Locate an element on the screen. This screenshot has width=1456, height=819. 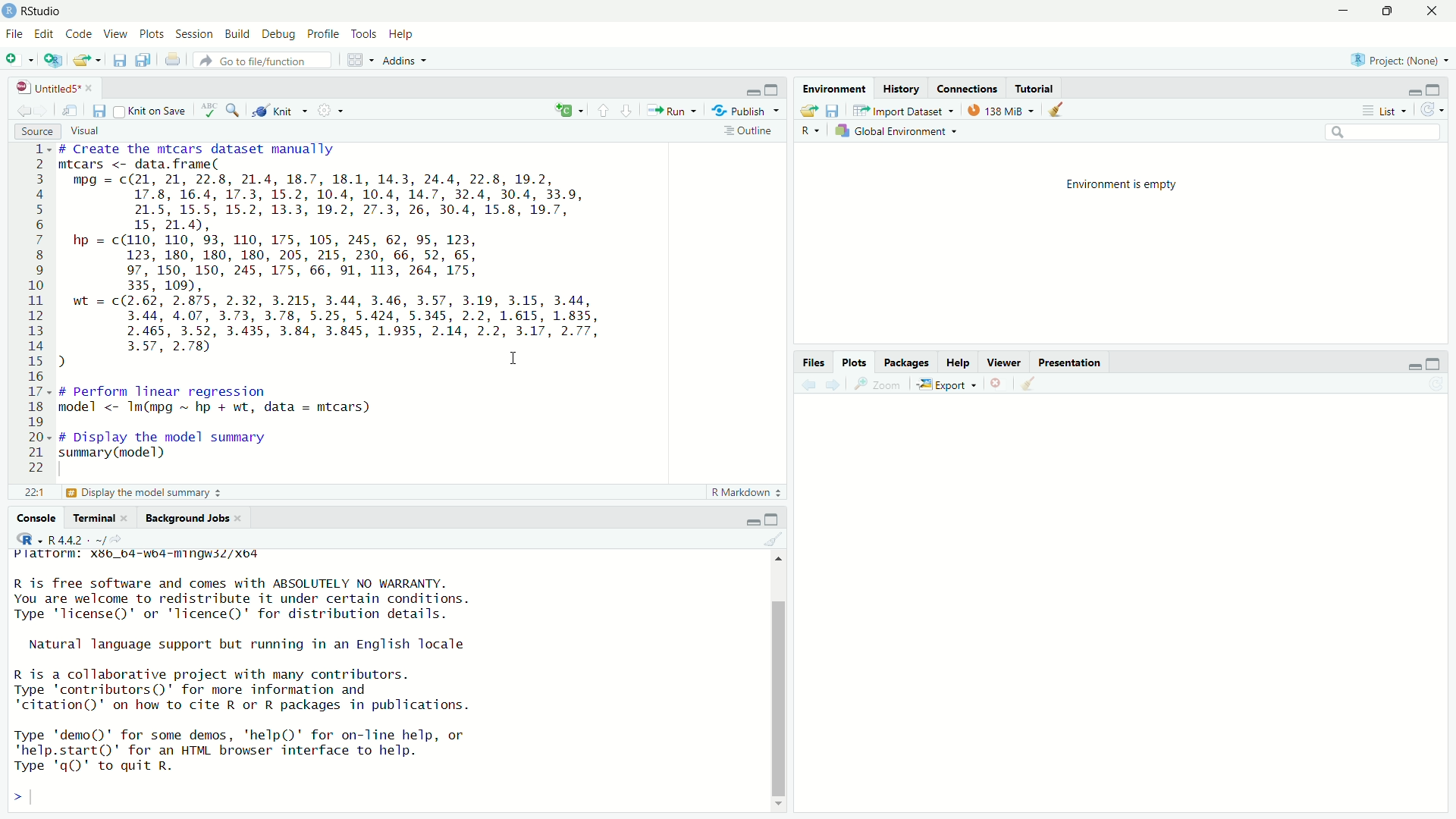
save is located at coordinates (121, 58).